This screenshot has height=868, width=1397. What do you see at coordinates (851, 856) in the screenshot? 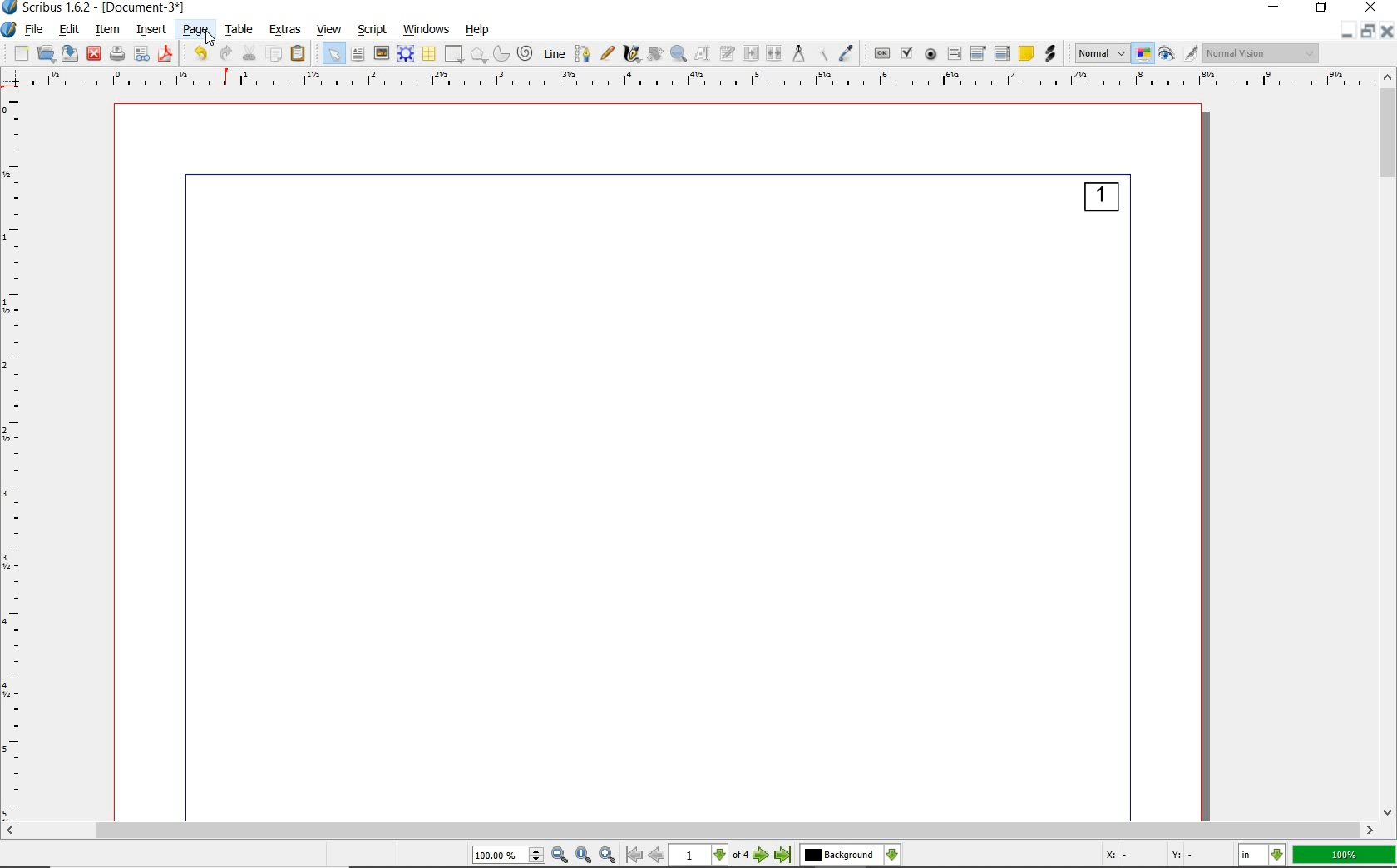
I see `select the current layer` at bounding box center [851, 856].